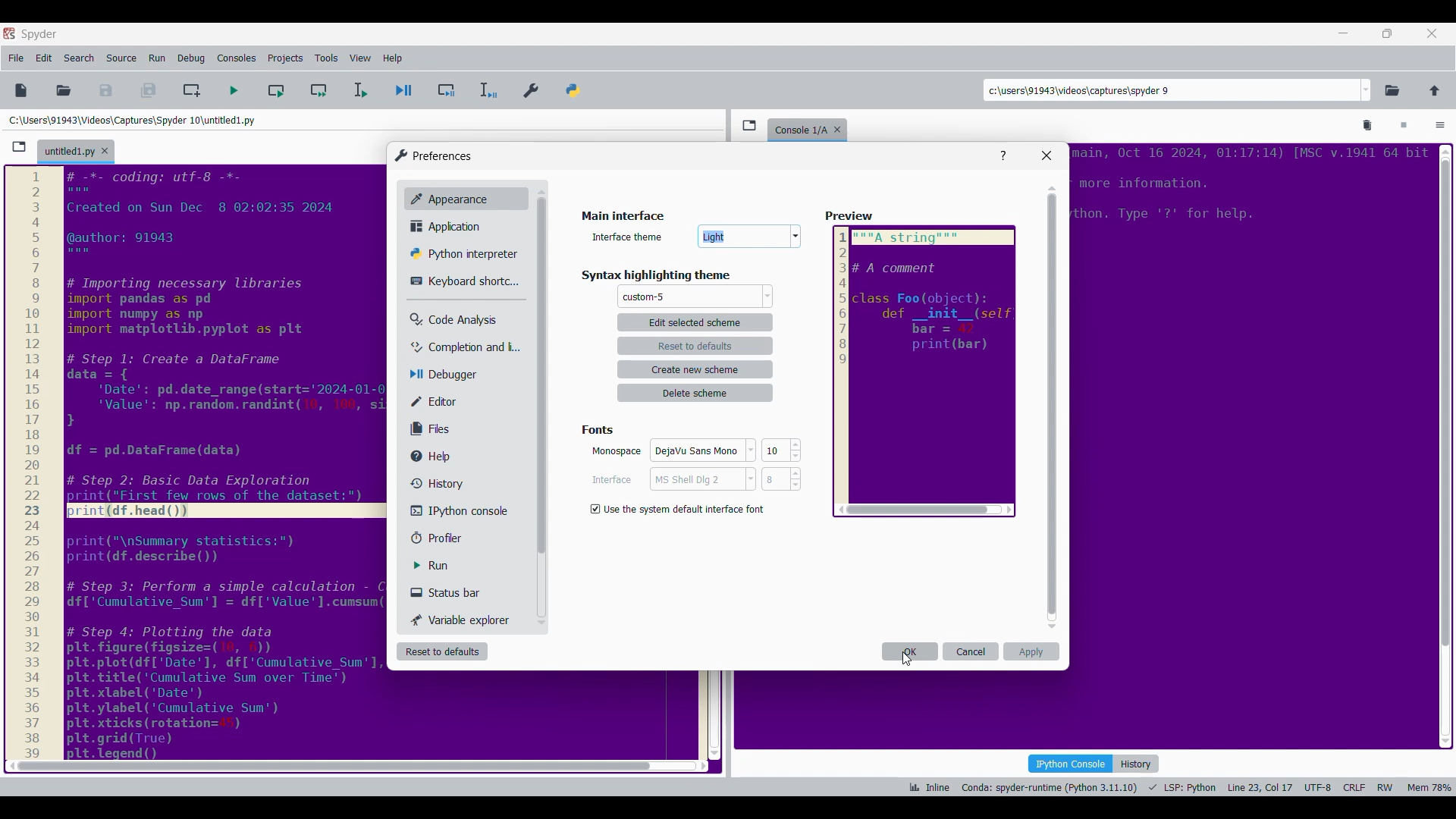 The width and height of the screenshot is (1456, 819). I want to click on PYTHONPATH manager, so click(576, 87).